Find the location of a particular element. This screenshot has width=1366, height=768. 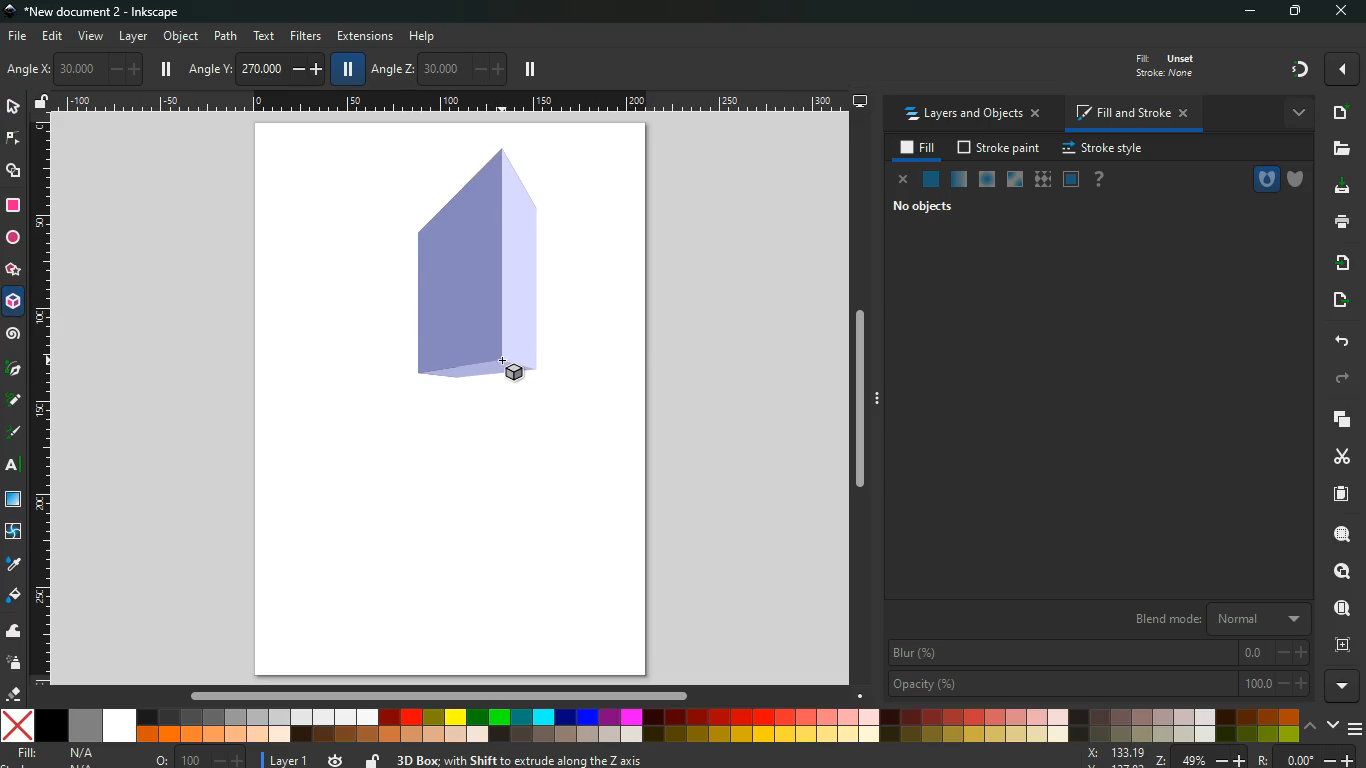

desktop is located at coordinates (861, 101).